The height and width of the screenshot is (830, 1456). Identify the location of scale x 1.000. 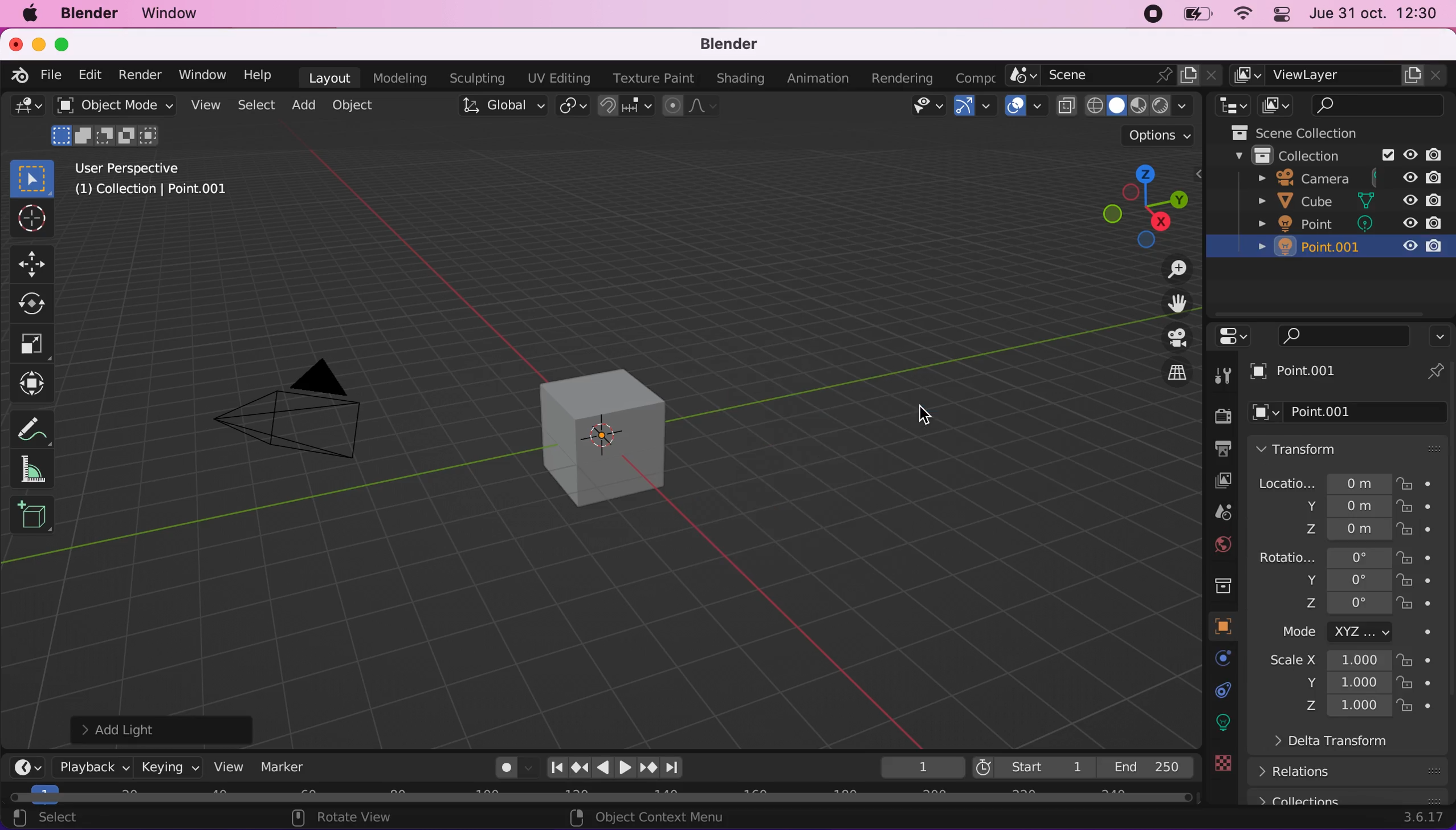
(1327, 661).